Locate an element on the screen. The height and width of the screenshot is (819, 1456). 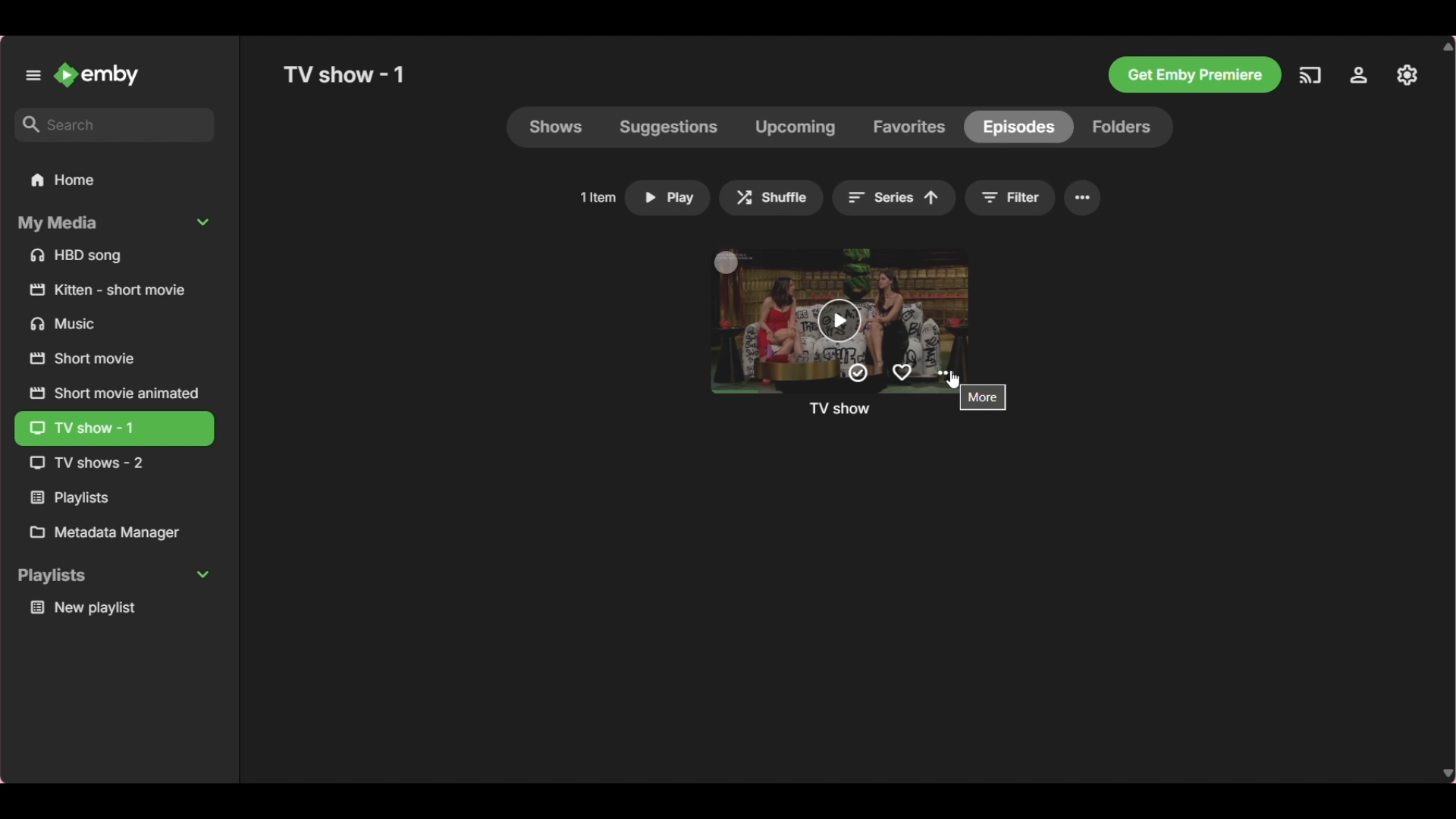
Manage Emby servers is located at coordinates (1407, 75).